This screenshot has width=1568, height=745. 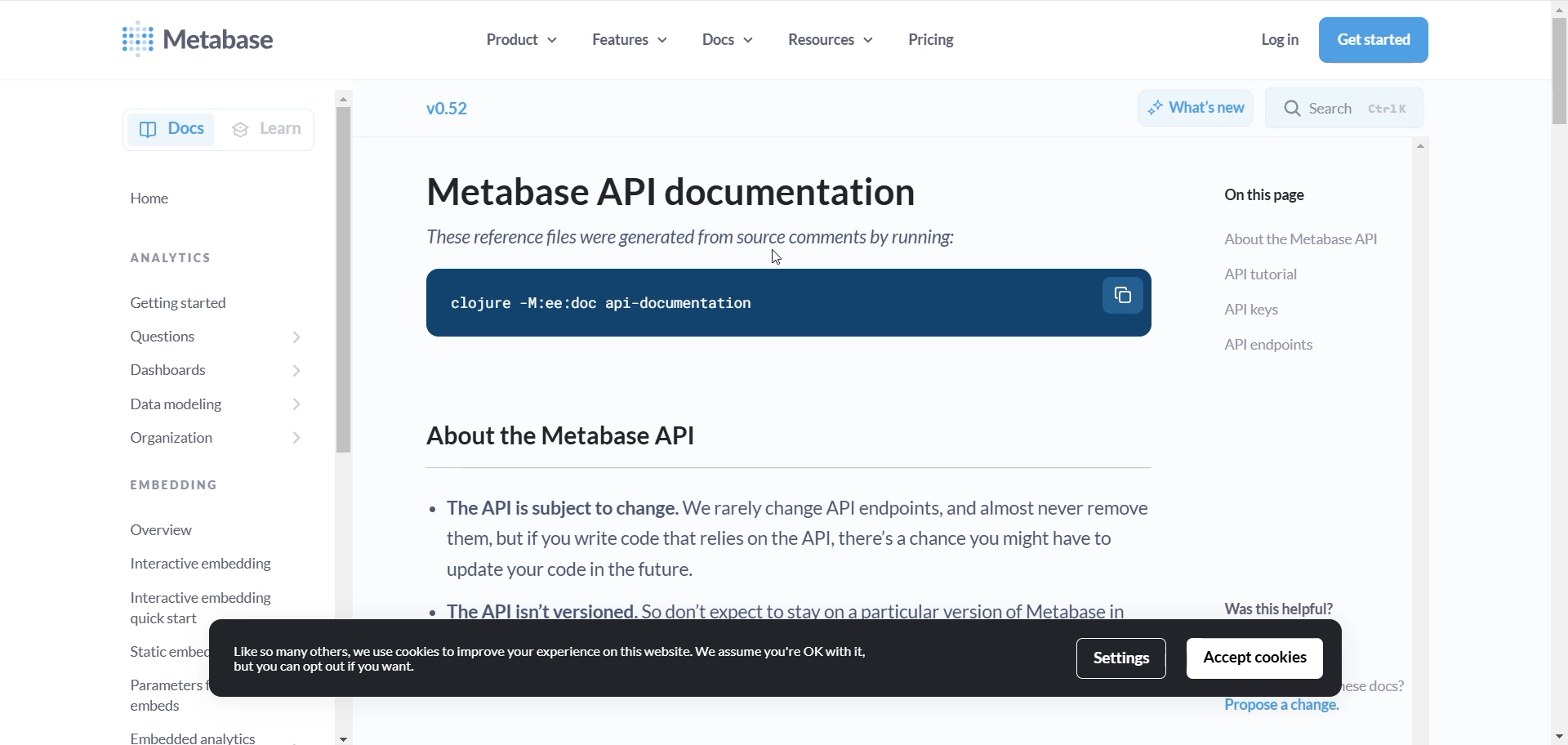 I want to click on move up, so click(x=1558, y=10).